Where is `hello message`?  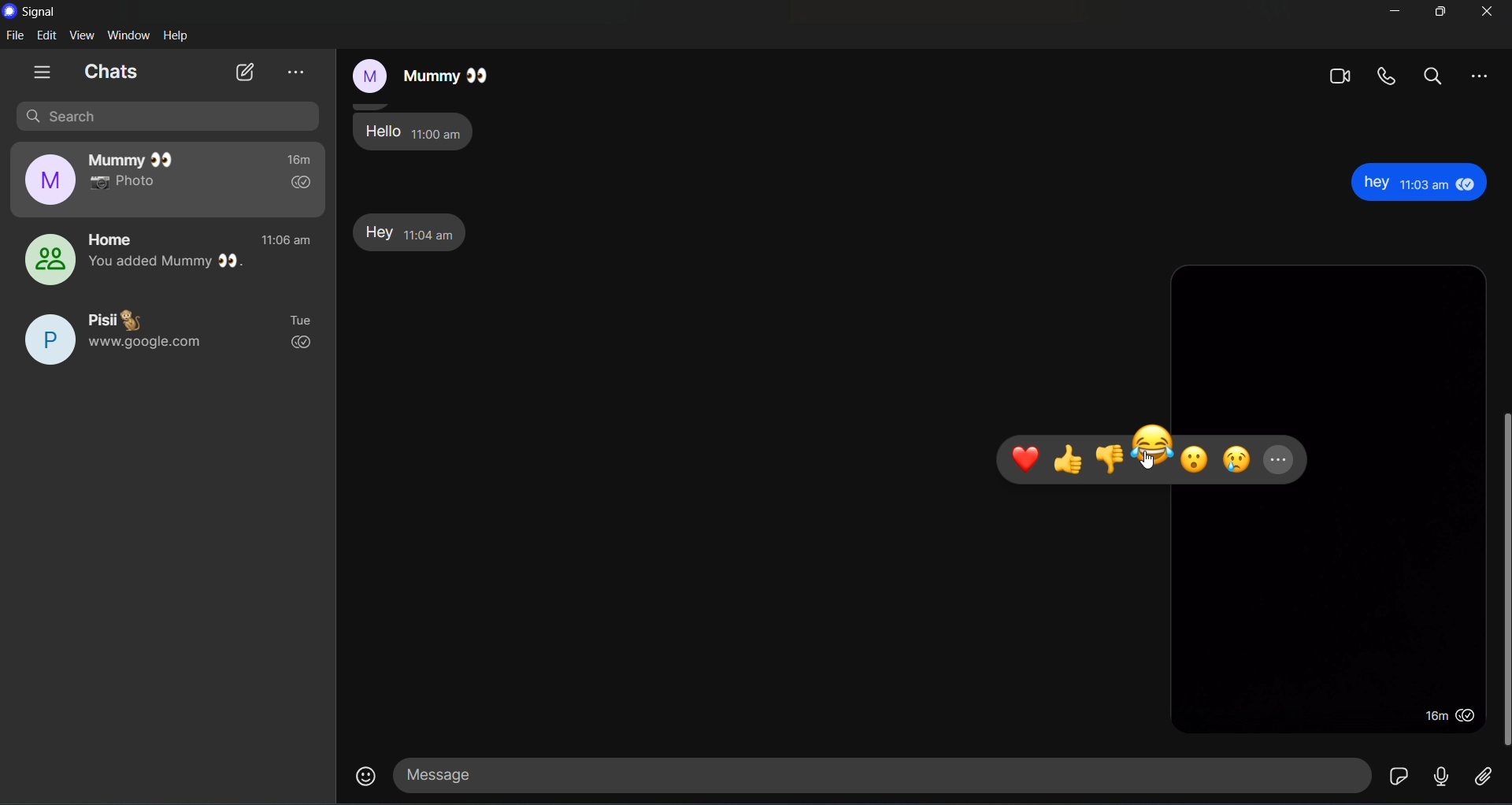
hello message is located at coordinates (415, 130).